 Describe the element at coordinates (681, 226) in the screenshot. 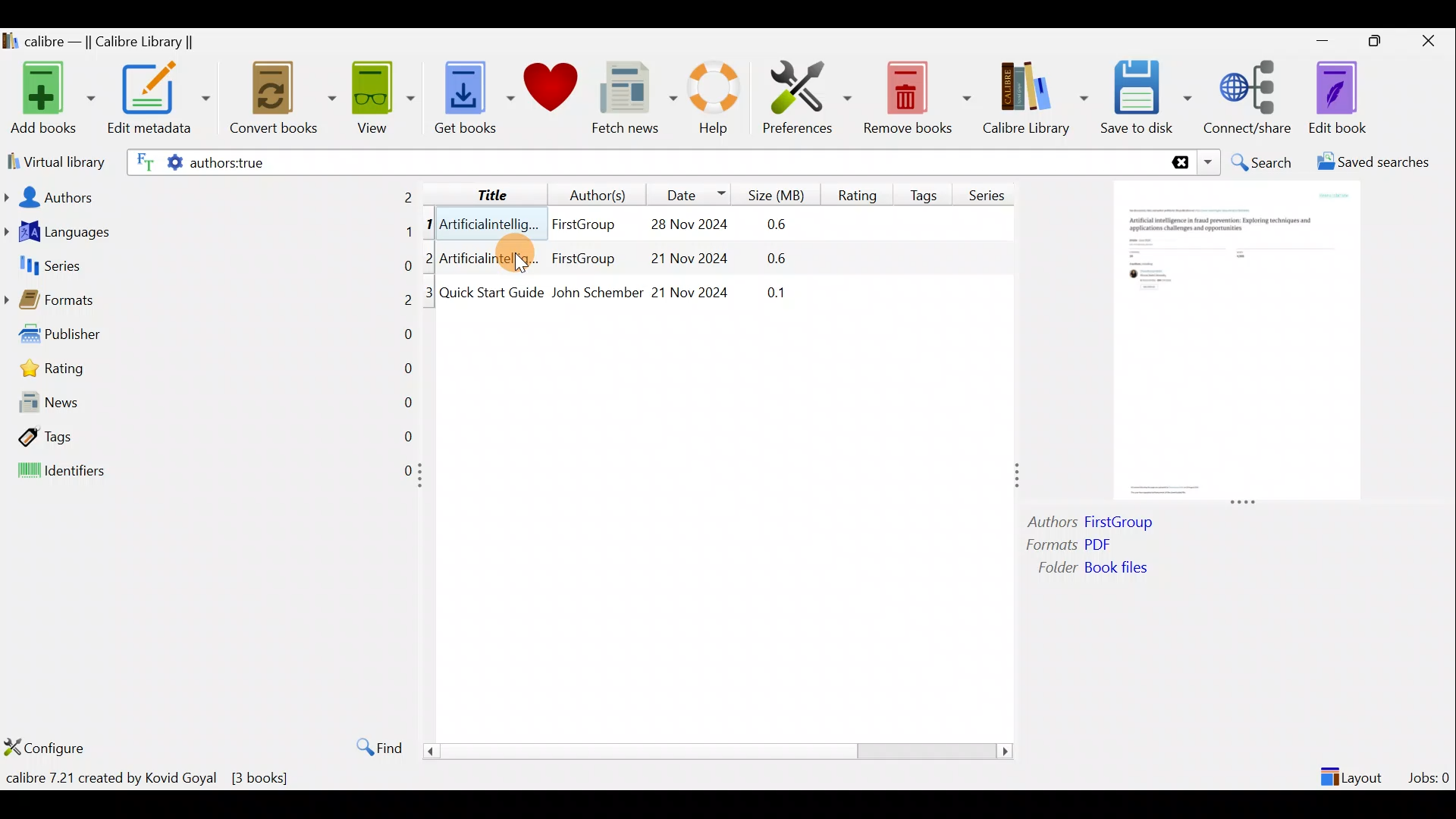

I see `28 Nov 2024` at that location.